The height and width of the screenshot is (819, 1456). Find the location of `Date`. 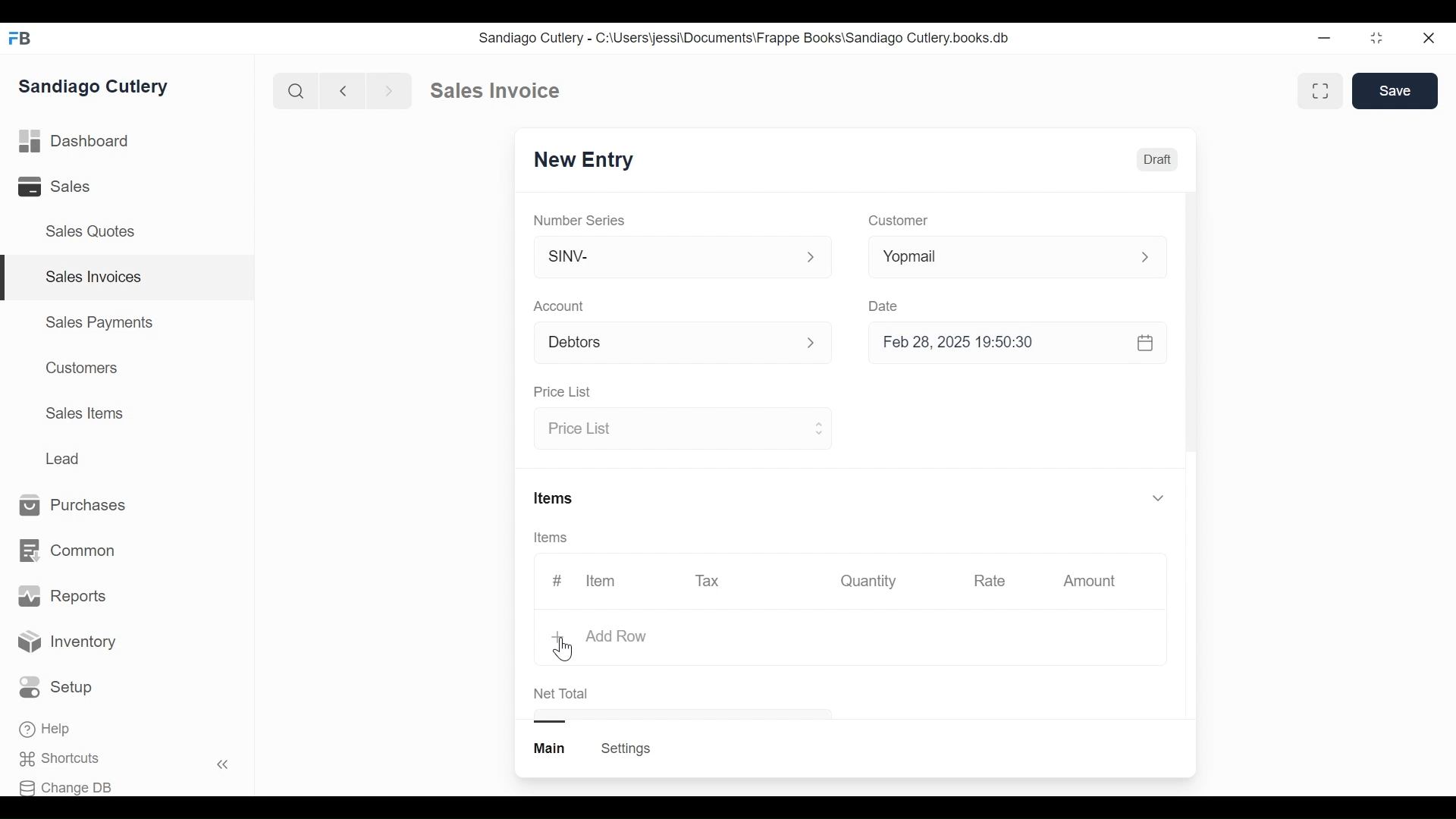

Date is located at coordinates (886, 306).